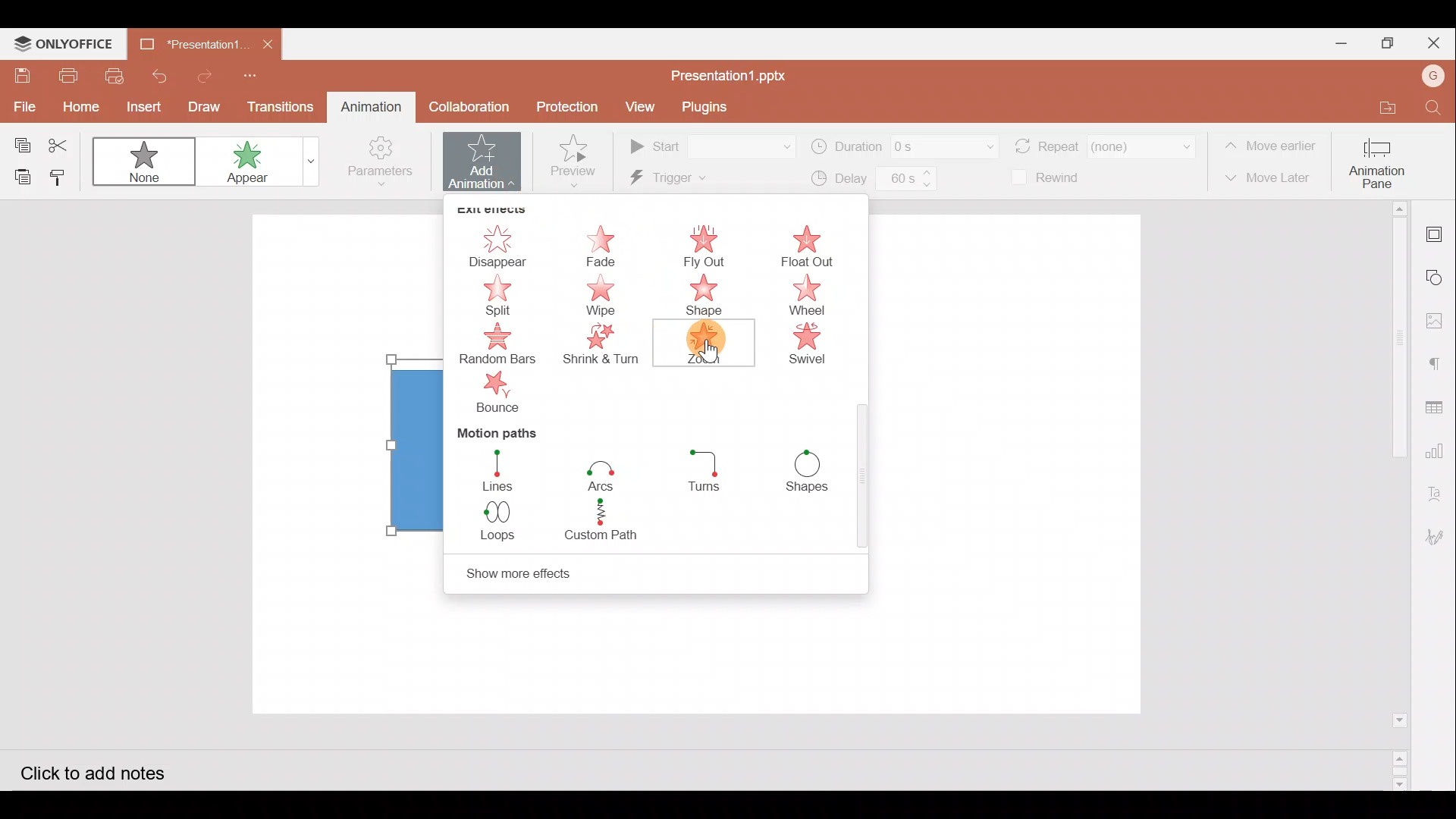 This screenshot has width=1456, height=819. What do you see at coordinates (1439, 325) in the screenshot?
I see `Image settings` at bounding box center [1439, 325].